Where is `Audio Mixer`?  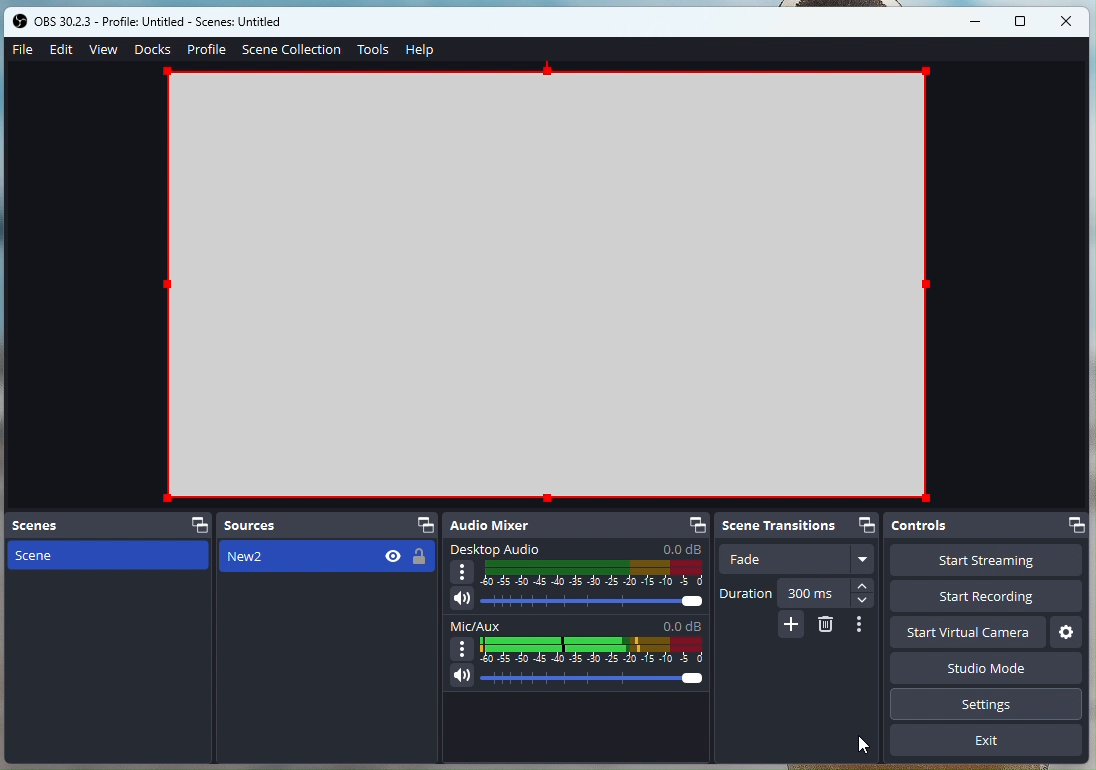 Audio Mixer is located at coordinates (504, 524).